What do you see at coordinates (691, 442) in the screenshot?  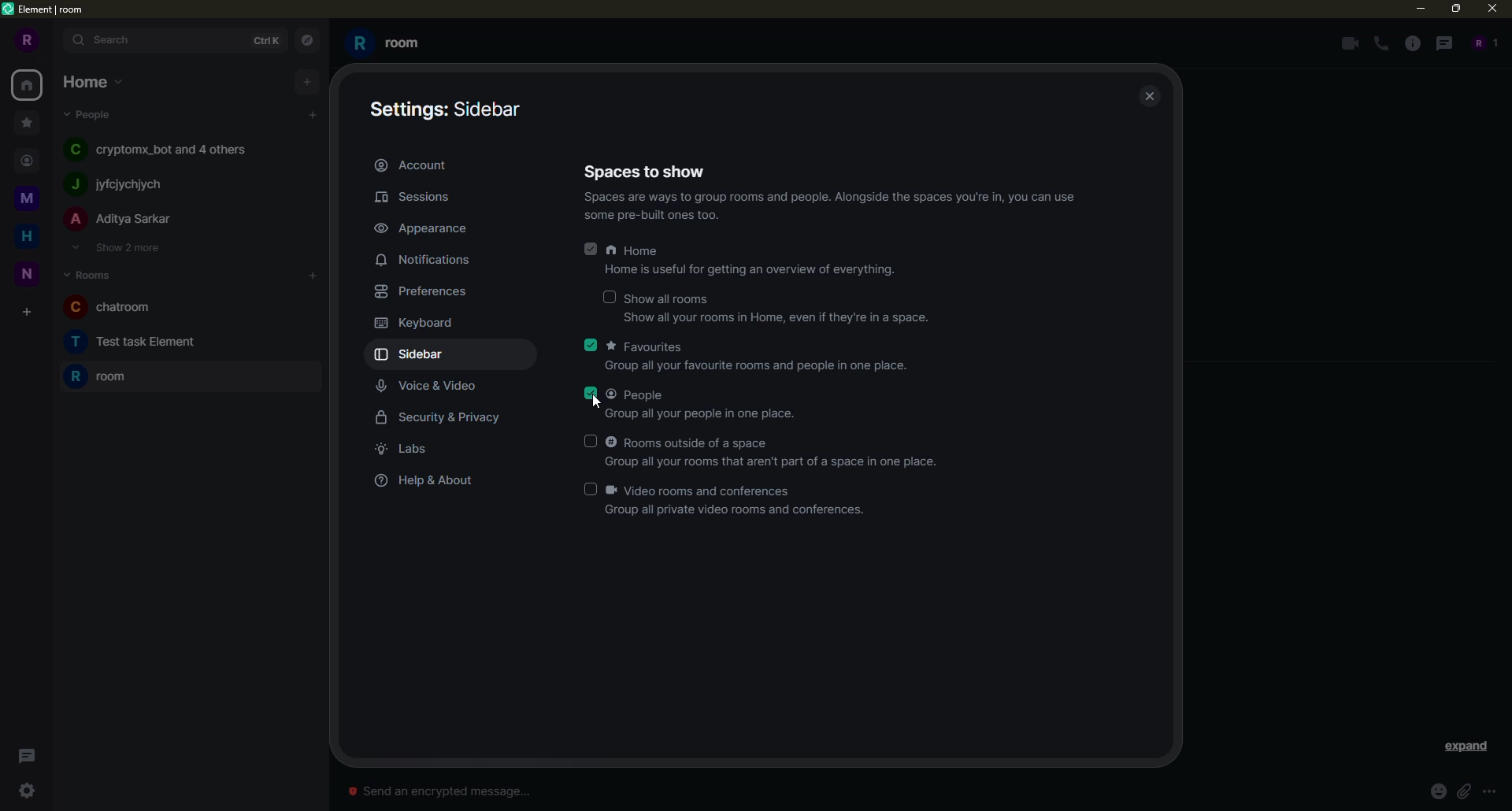 I see `rooms outside of space` at bounding box center [691, 442].